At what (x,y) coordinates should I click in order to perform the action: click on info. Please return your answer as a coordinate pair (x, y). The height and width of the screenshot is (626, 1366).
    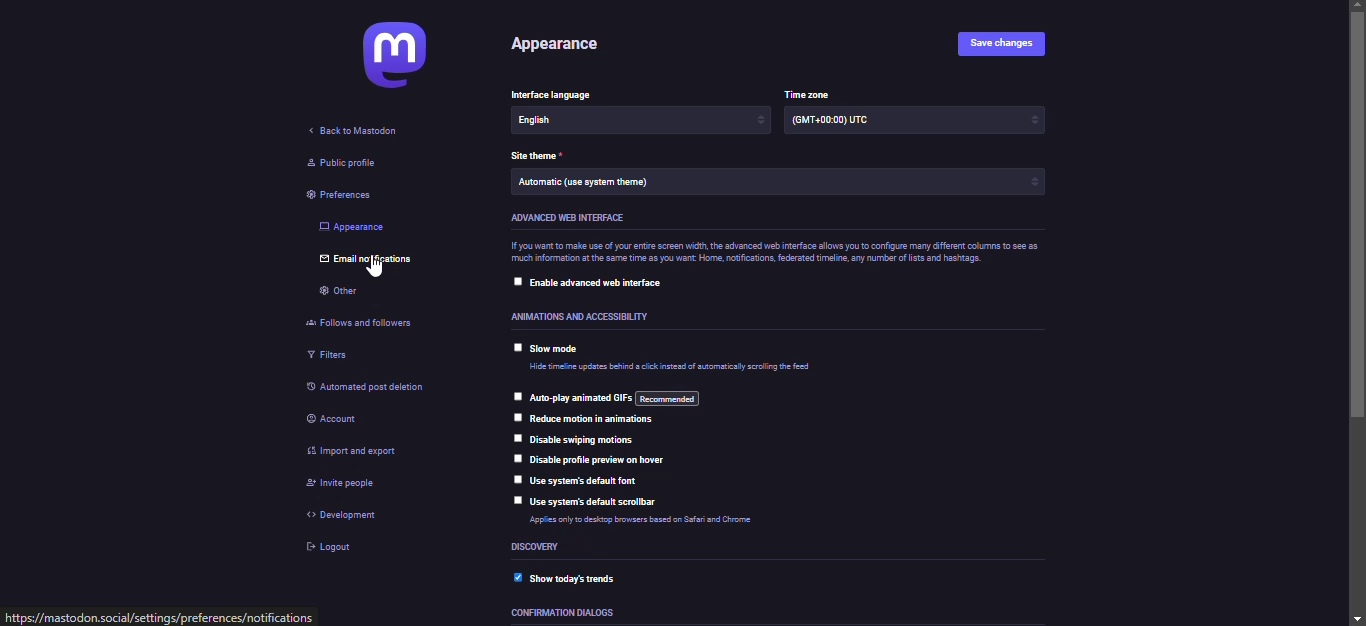
    Looking at the image, I should click on (671, 370).